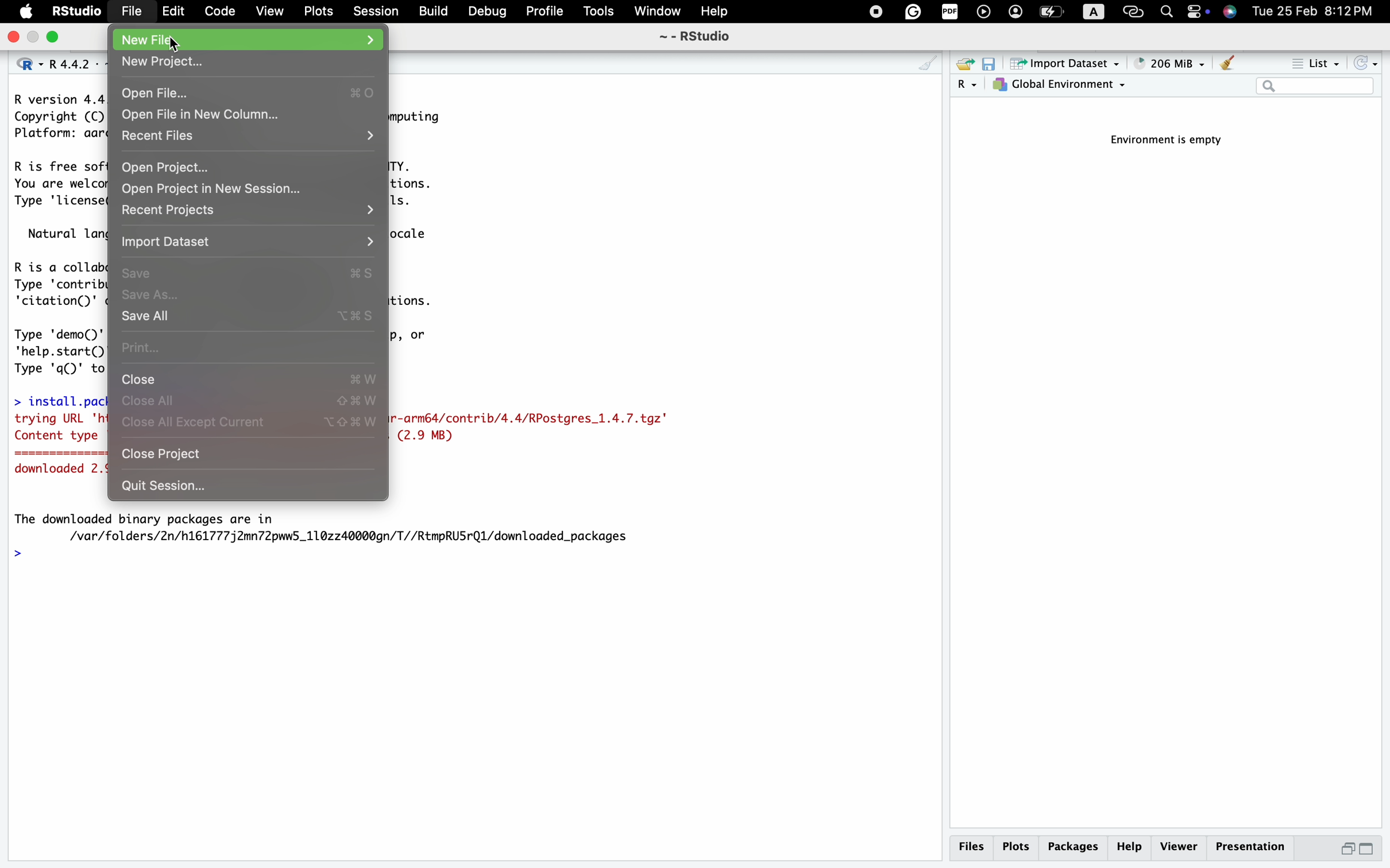  What do you see at coordinates (250, 241) in the screenshot?
I see `import dataset` at bounding box center [250, 241].